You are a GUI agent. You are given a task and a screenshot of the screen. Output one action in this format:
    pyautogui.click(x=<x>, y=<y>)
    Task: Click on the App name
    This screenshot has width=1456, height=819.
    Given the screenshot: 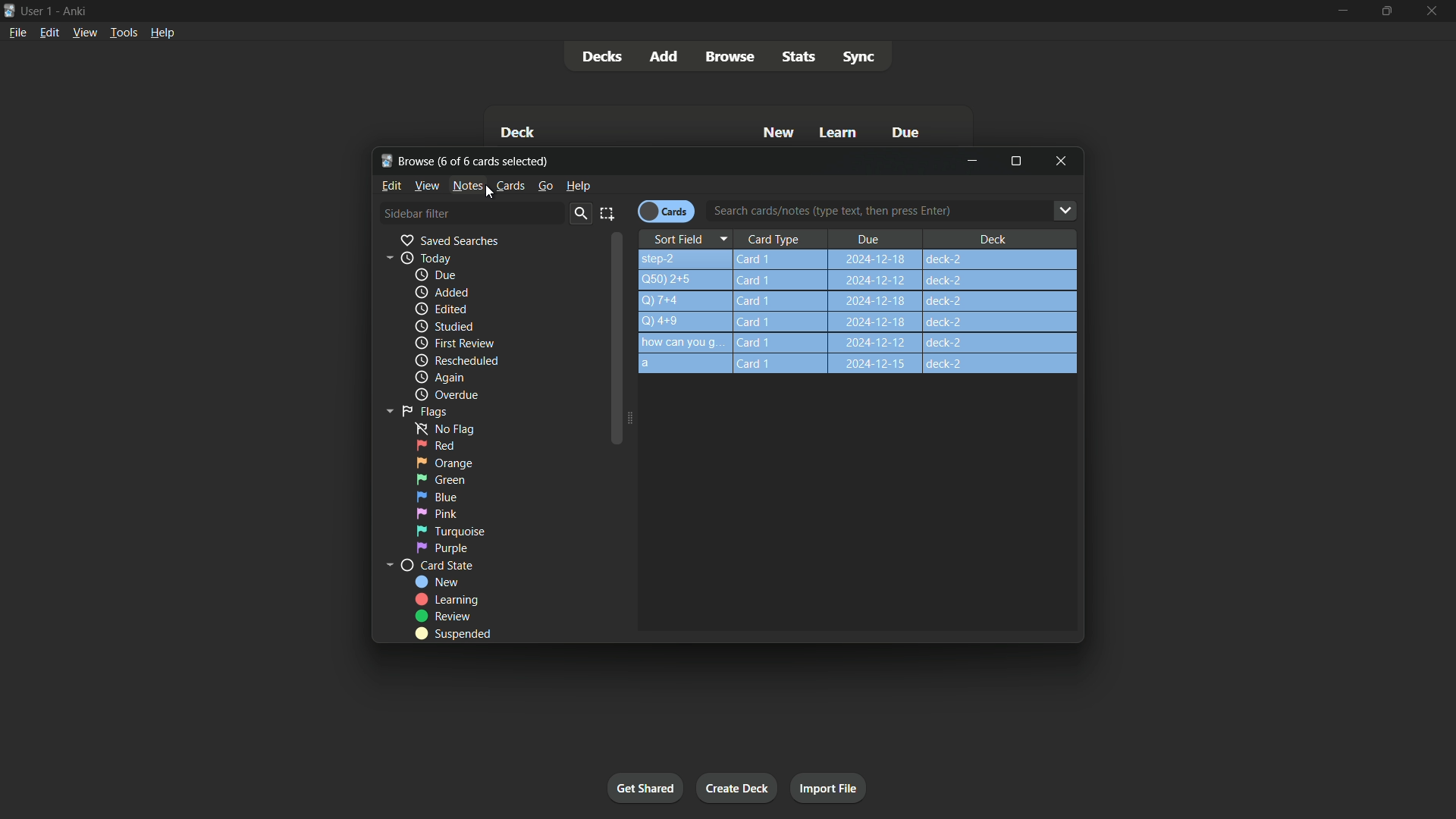 What is the action you would take?
    pyautogui.click(x=78, y=11)
    